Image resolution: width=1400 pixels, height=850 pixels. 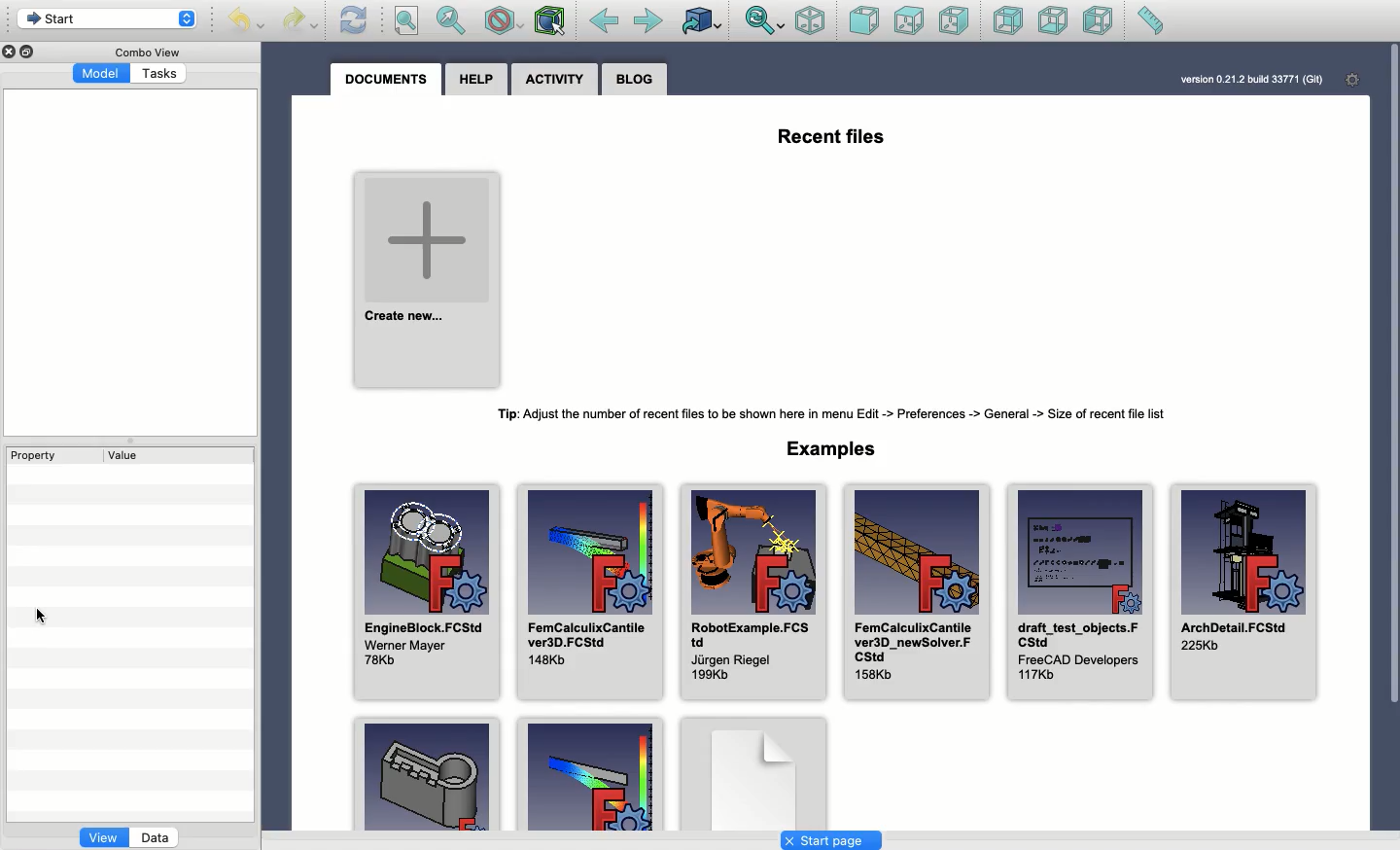 What do you see at coordinates (158, 74) in the screenshot?
I see `Tasks` at bounding box center [158, 74].